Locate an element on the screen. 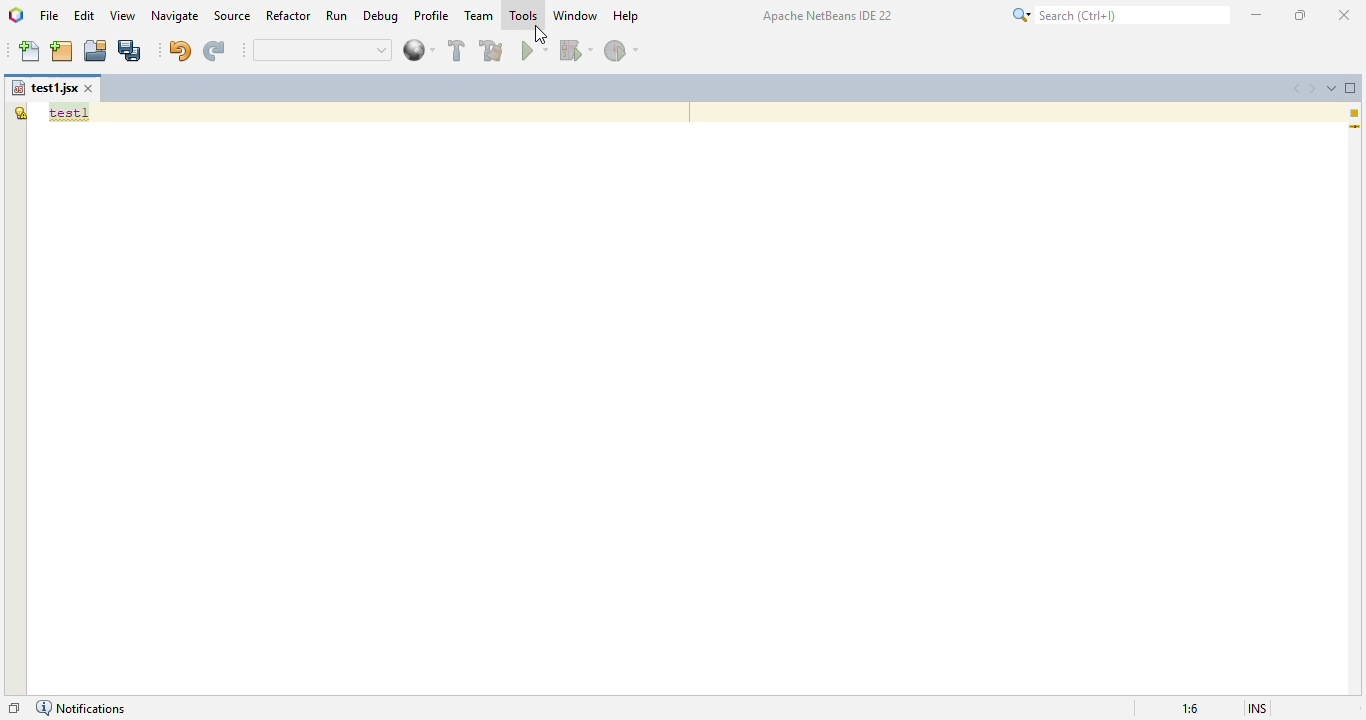 The width and height of the screenshot is (1366, 720). refactor is located at coordinates (289, 16).